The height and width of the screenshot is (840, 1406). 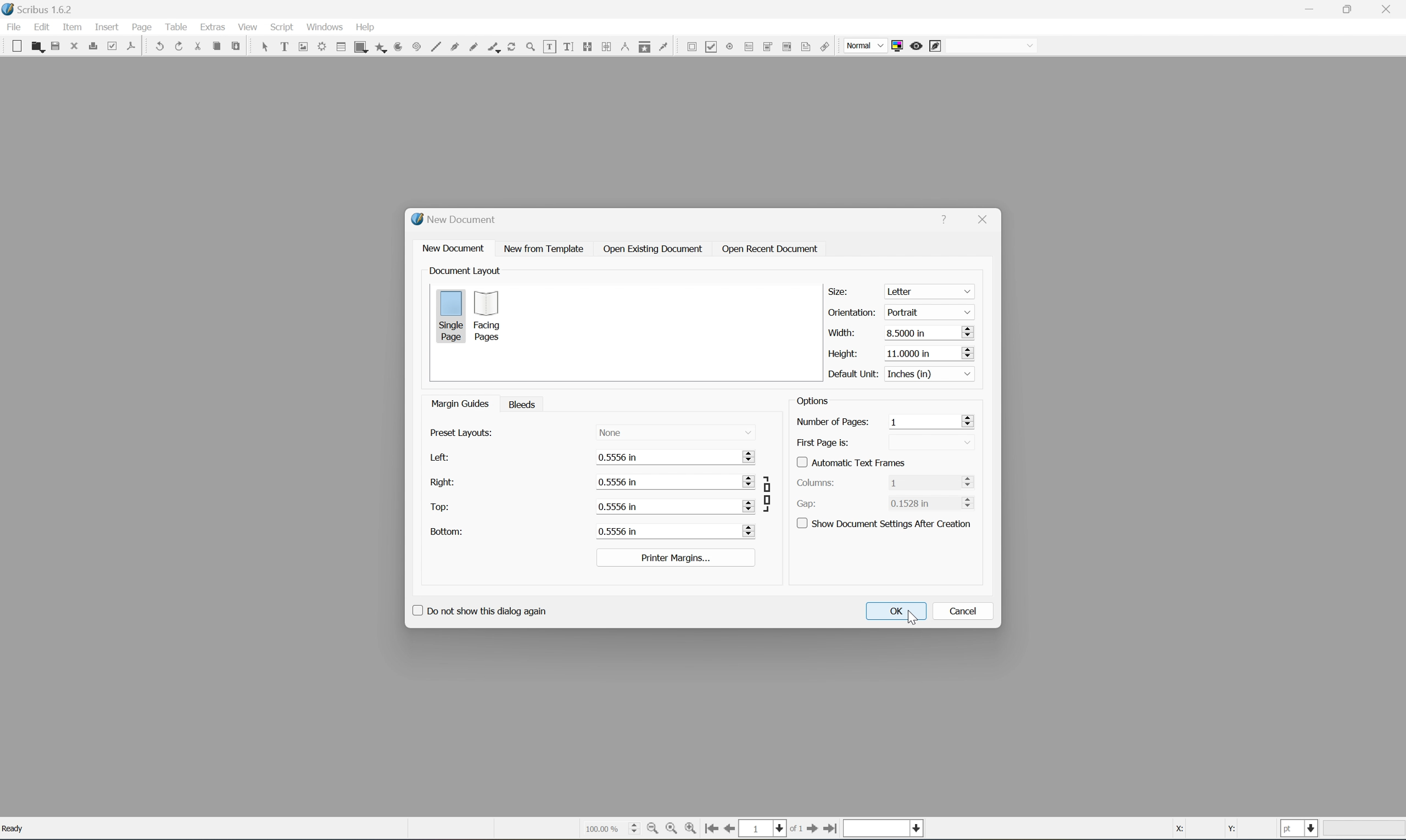 I want to click on bleeds, so click(x=525, y=406).